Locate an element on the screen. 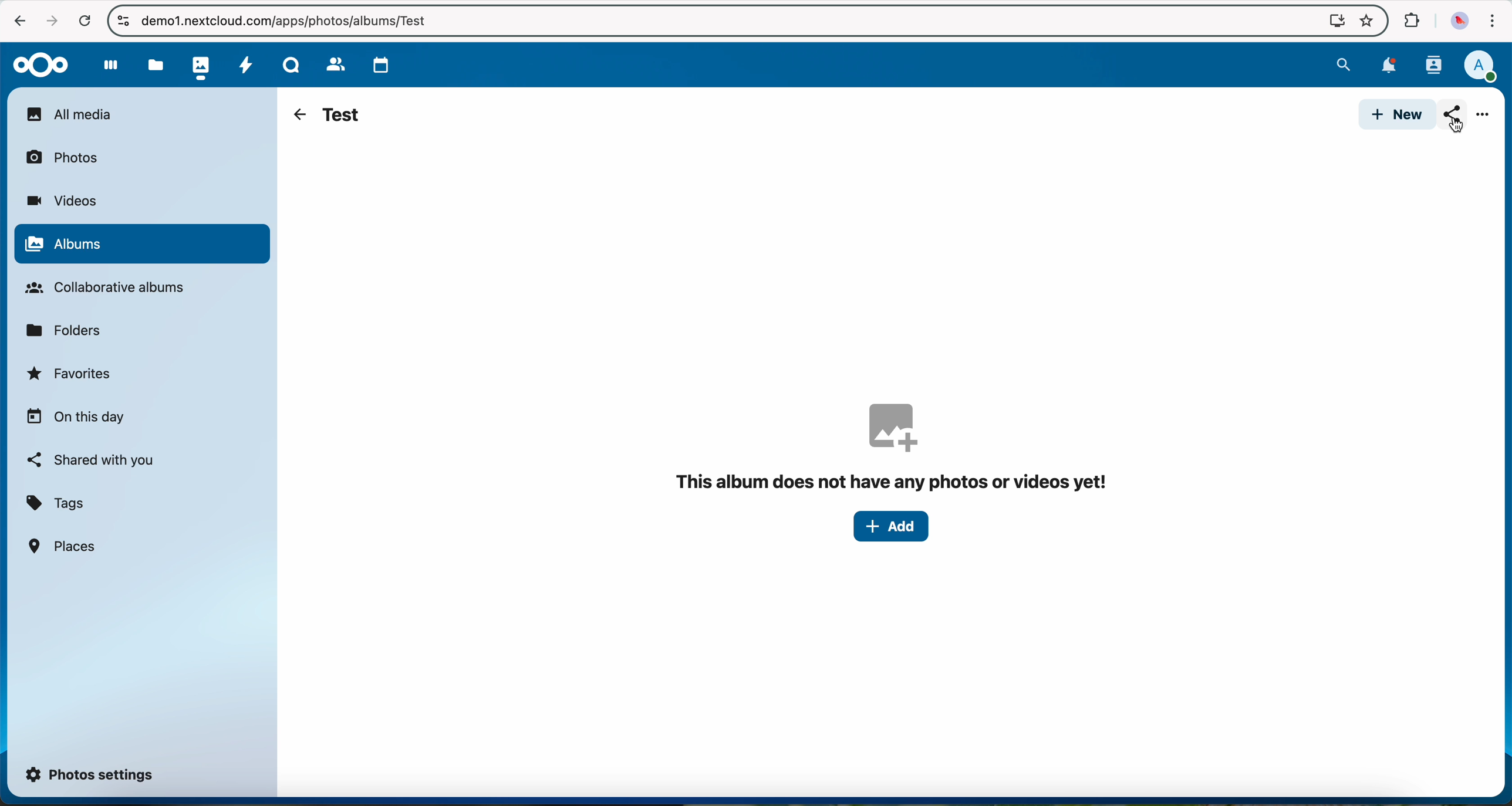 Image resolution: width=1512 pixels, height=806 pixels. contacts  is located at coordinates (331, 62).